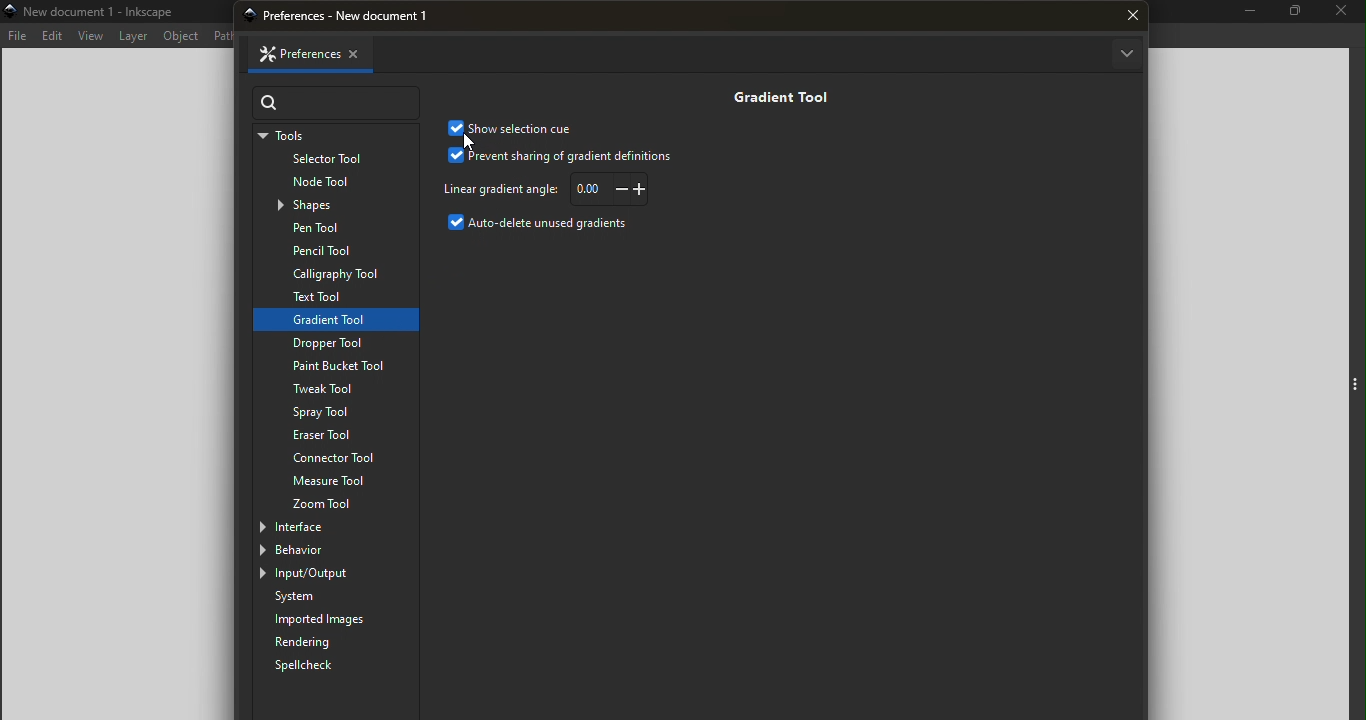 The width and height of the screenshot is (1366, 720). Describe the element at coordinates (329, 366) in the screenshot. I see `Paint bucket tool` at that location.